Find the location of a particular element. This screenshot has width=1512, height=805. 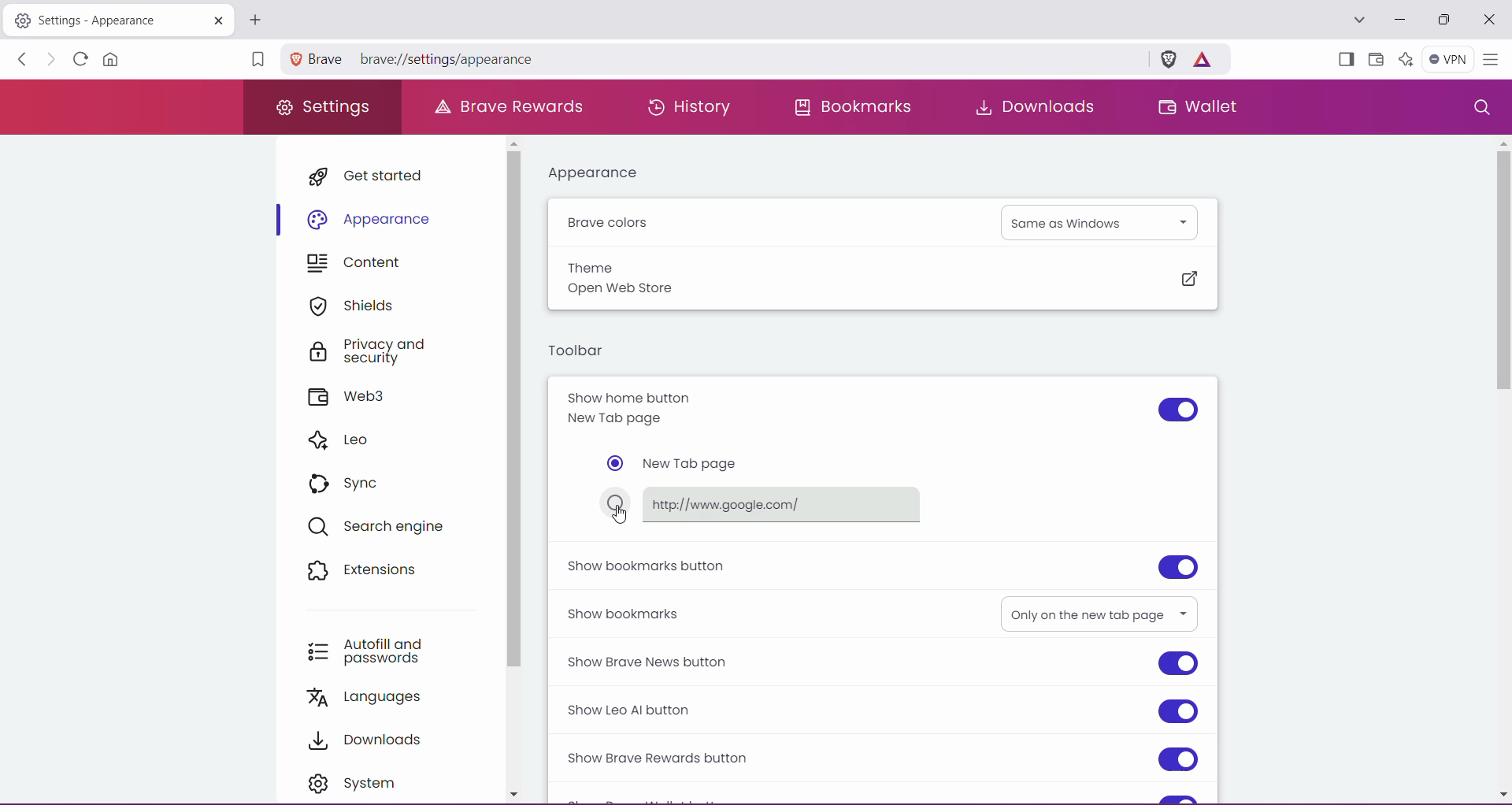

Click to open Chrome Web Store is located at coordinates (1188, 280).